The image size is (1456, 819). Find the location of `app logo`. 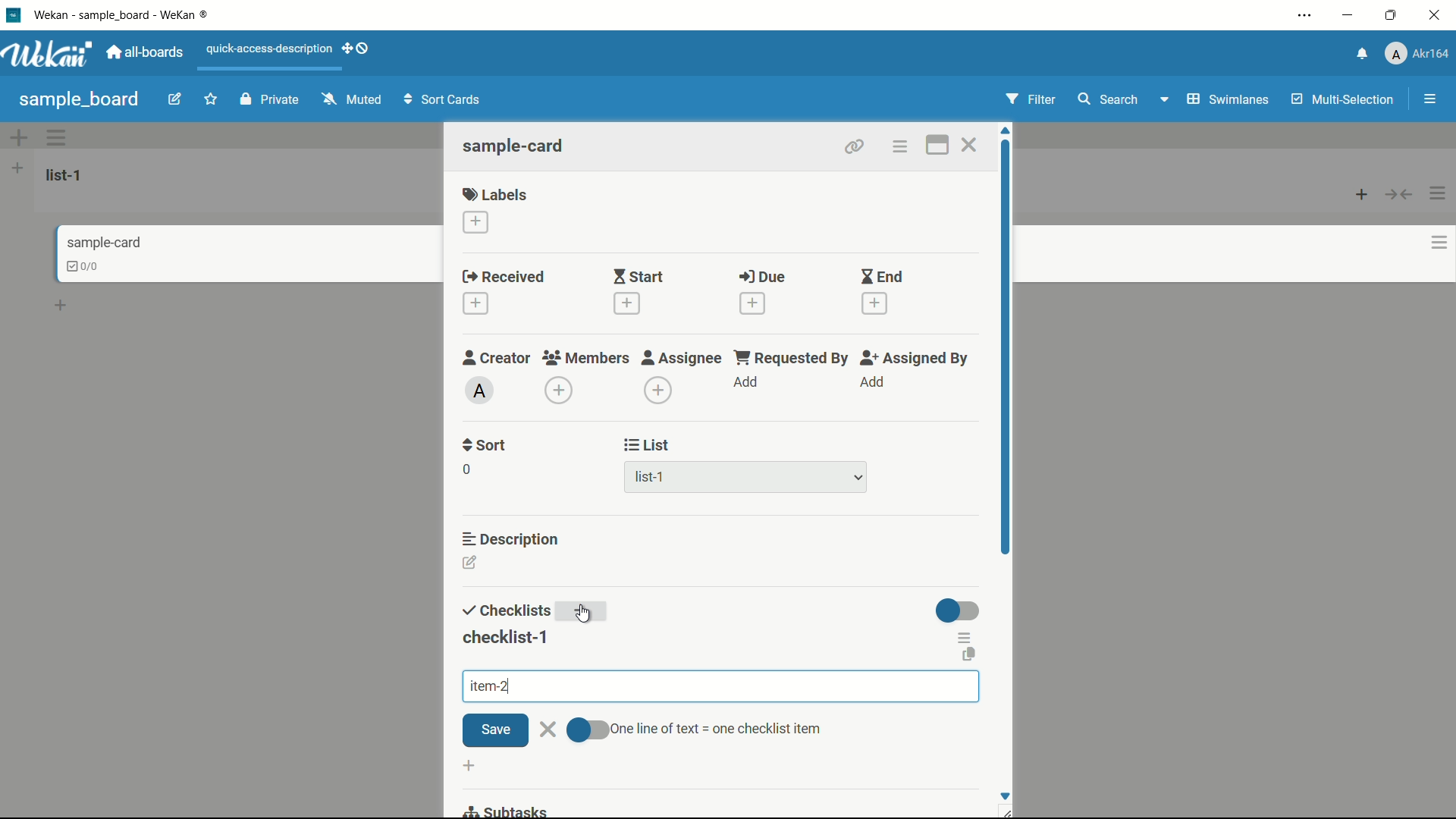

app logo is located at coordinates (47, 54).